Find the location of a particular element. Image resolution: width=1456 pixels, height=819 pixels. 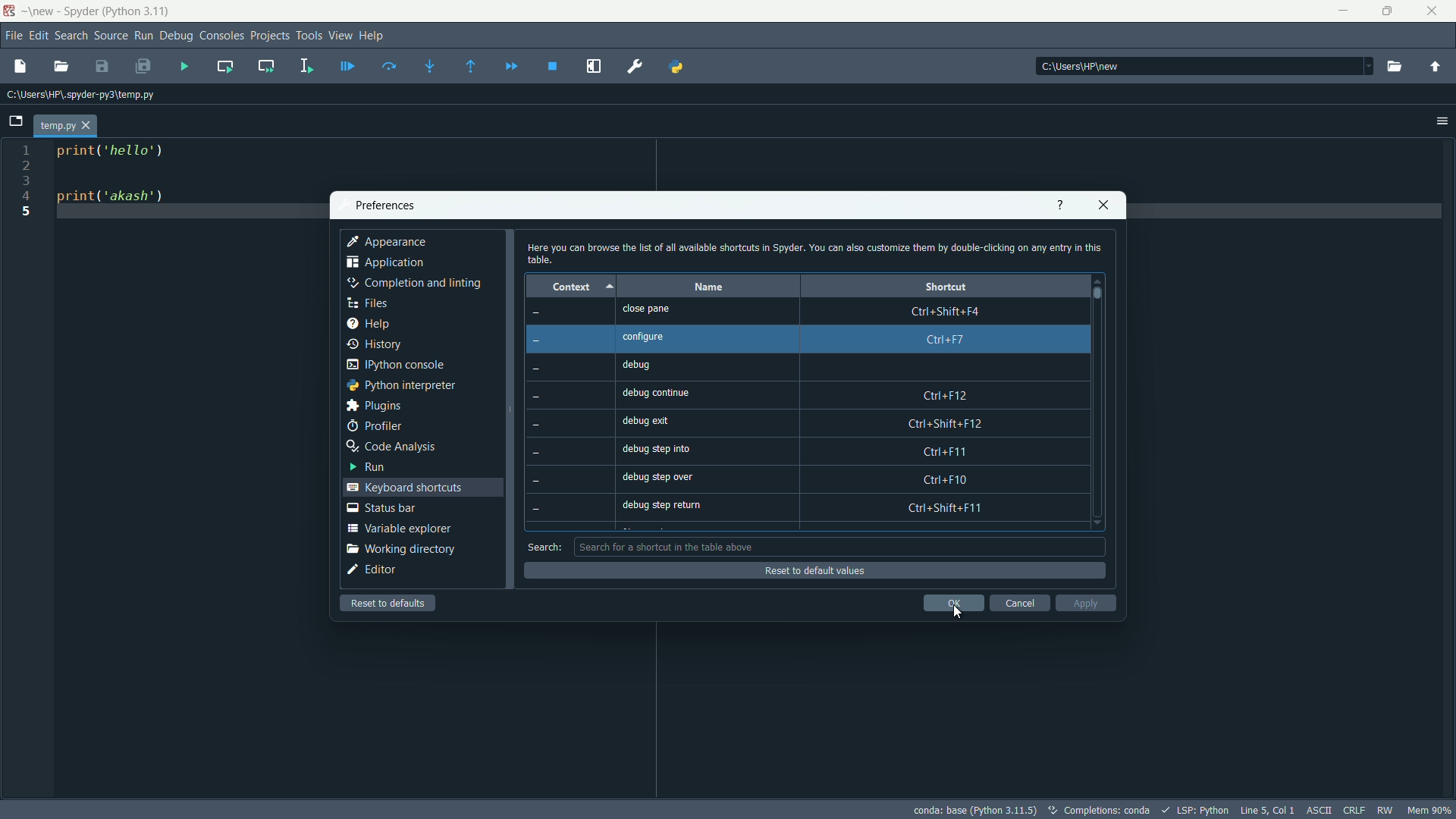

application is located at coordinates (384, 262).